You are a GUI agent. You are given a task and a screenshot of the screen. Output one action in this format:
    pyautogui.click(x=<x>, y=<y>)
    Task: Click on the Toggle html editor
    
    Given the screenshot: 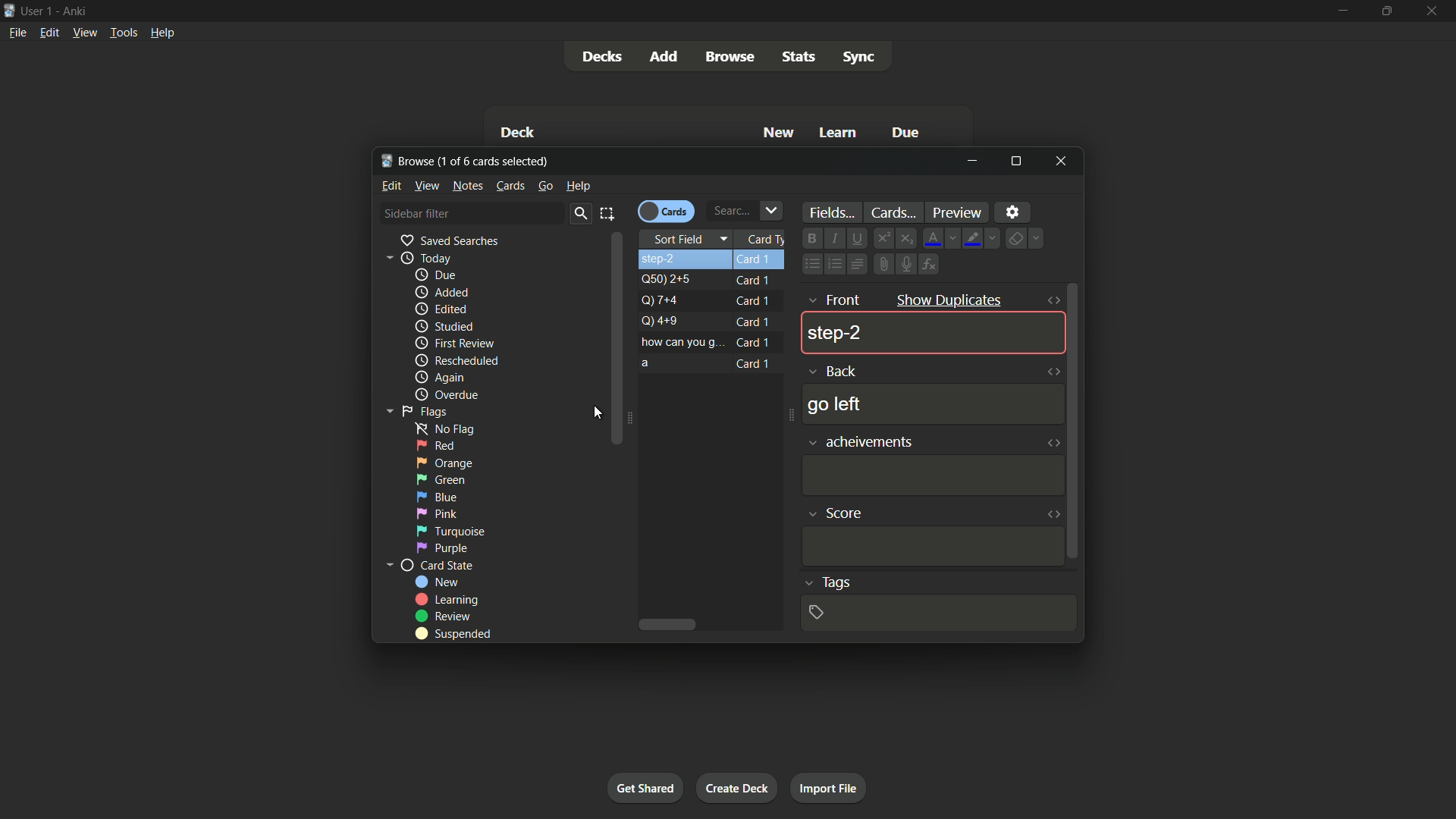 What is the action you would take?
    pyautogui.click(x=1053, y=441)
    